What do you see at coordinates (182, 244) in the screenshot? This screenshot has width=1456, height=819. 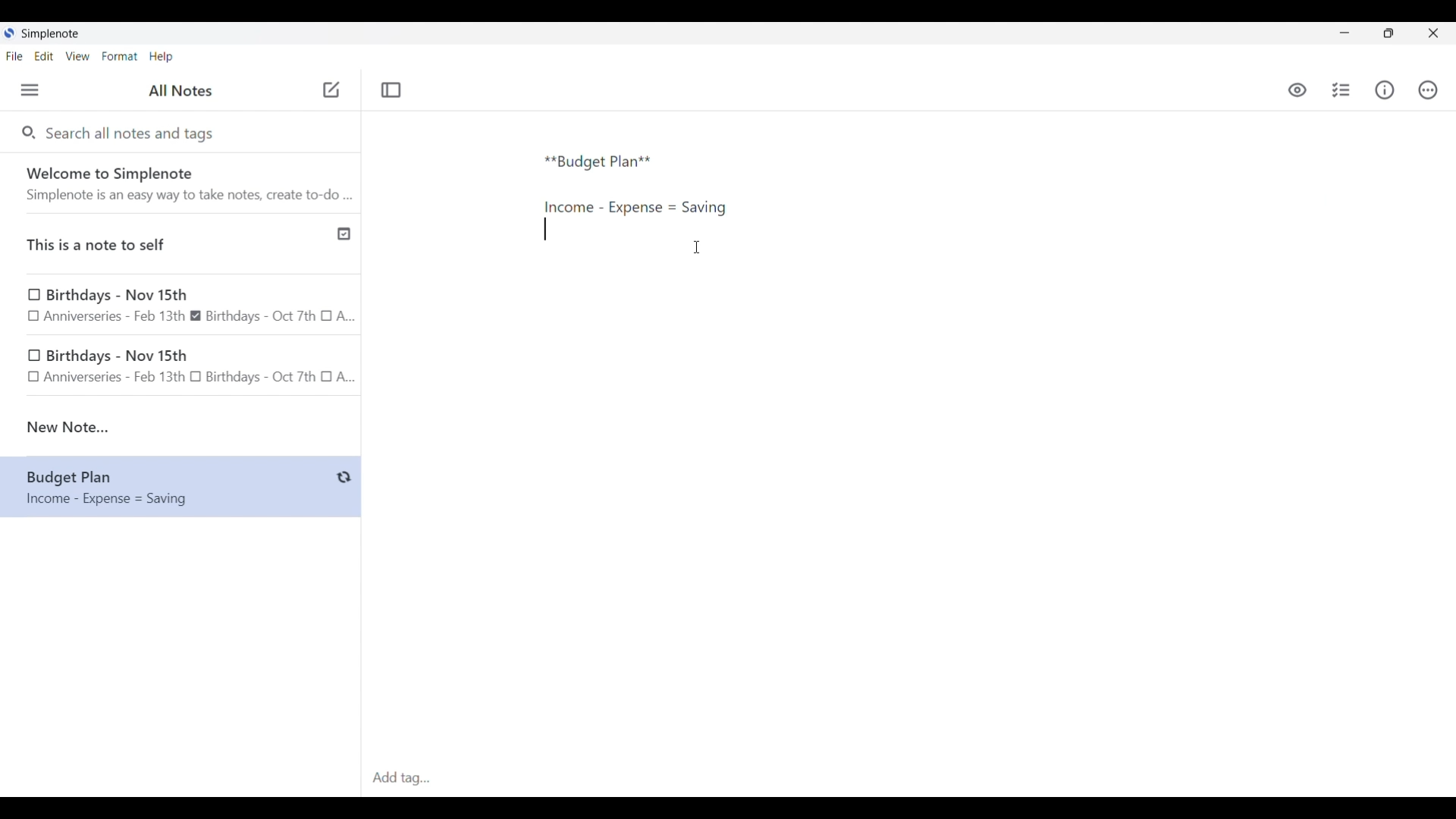 I see `Published note indicated by check icon` at bounding box center [182, 244].